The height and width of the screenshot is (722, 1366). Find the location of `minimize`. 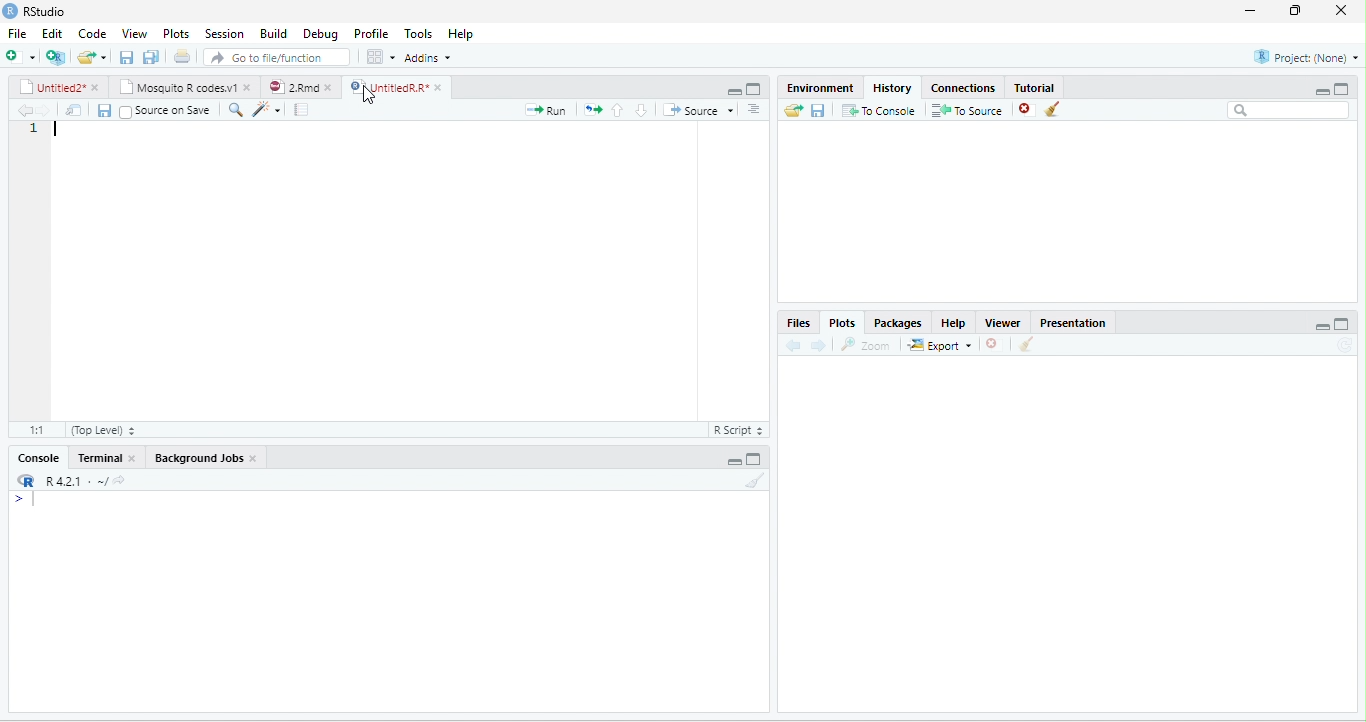

minimize is located at coordinates (728, 89).